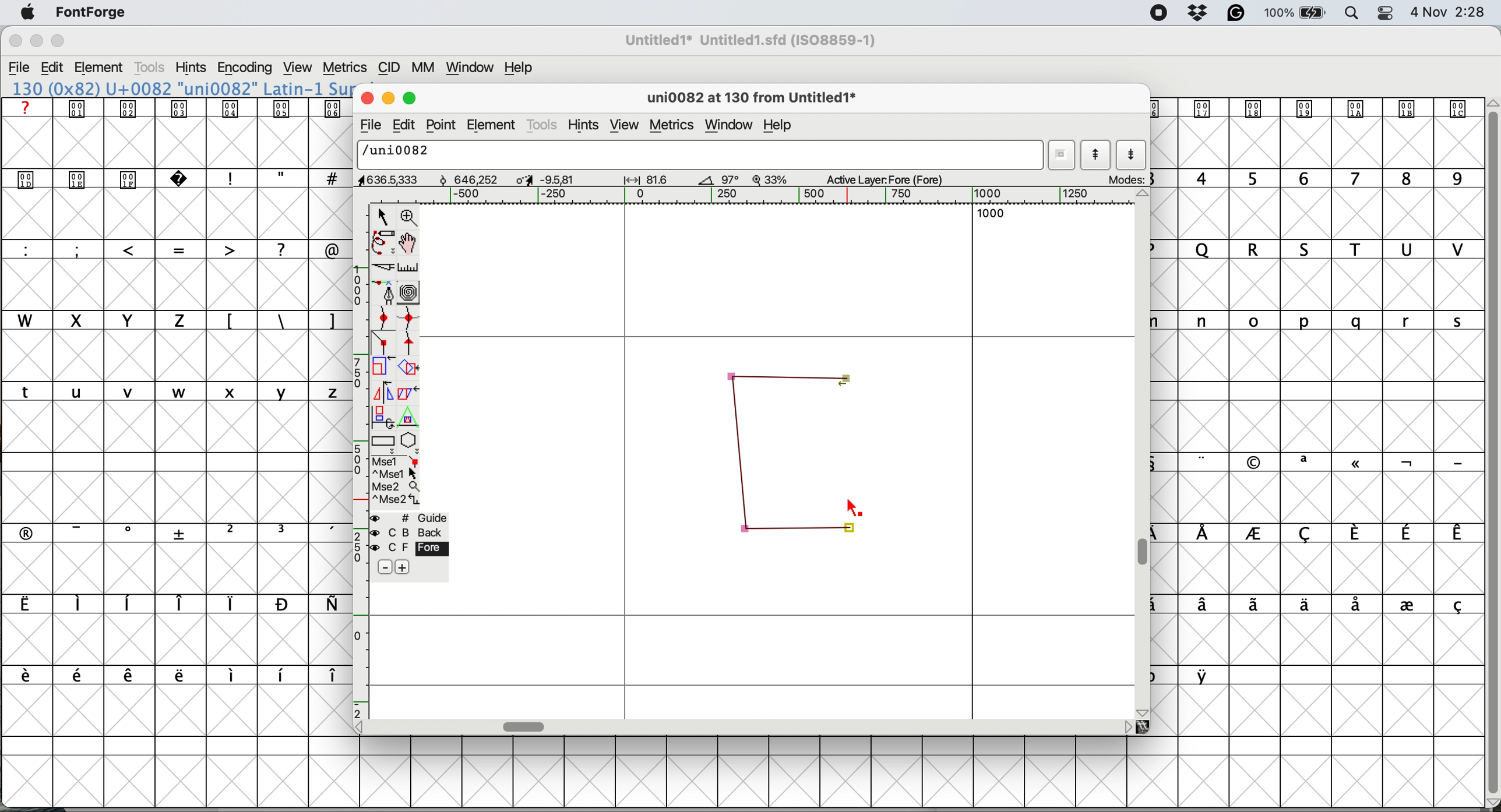 Image resolution: width=1501 pixels, height=812 pixels. What do you see at coordinates (385, 443) in the screenshot?
I see `rectangles and ellipses` at bounding box center [385, 443].